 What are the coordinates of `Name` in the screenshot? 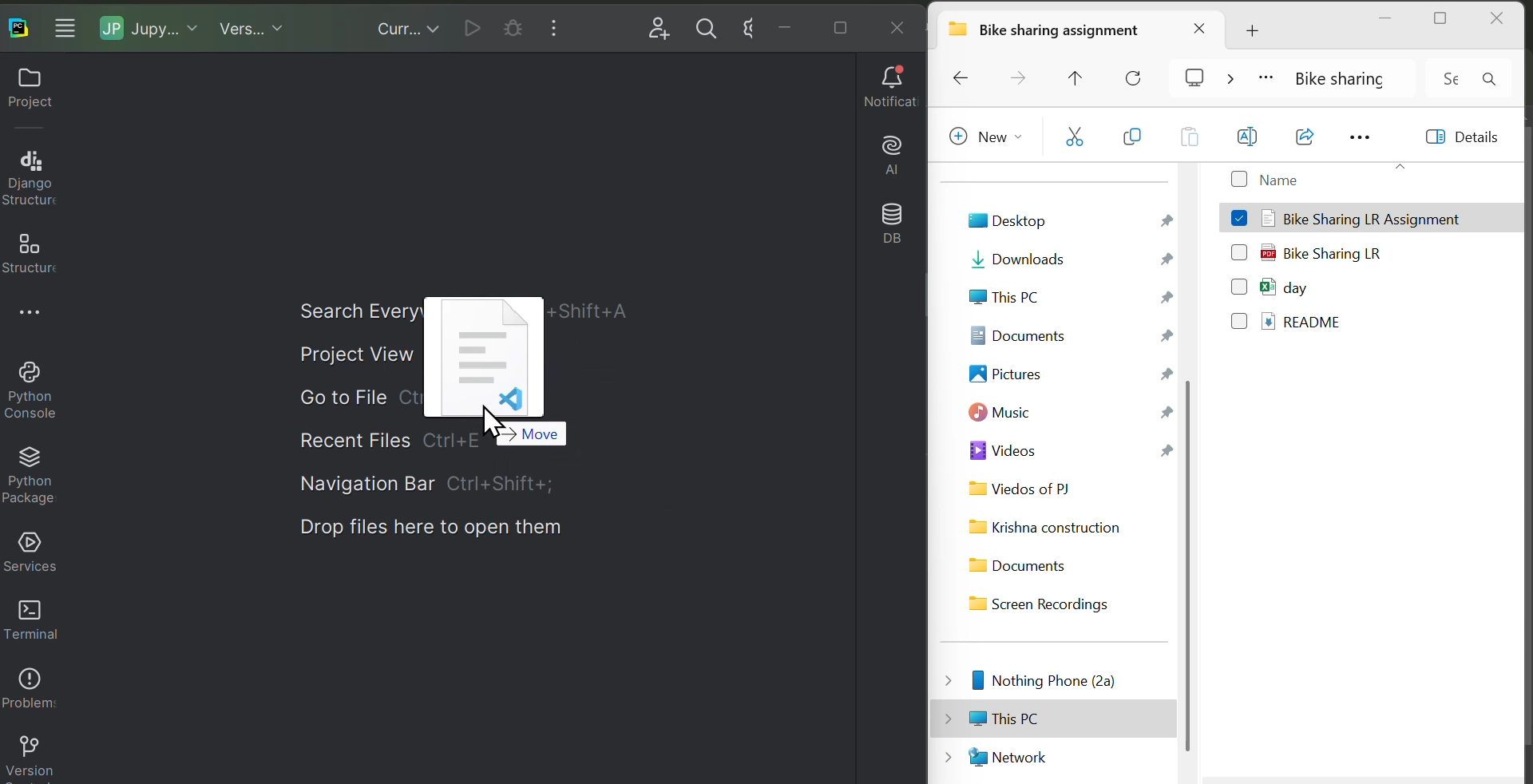 It's located at (1307, 178).